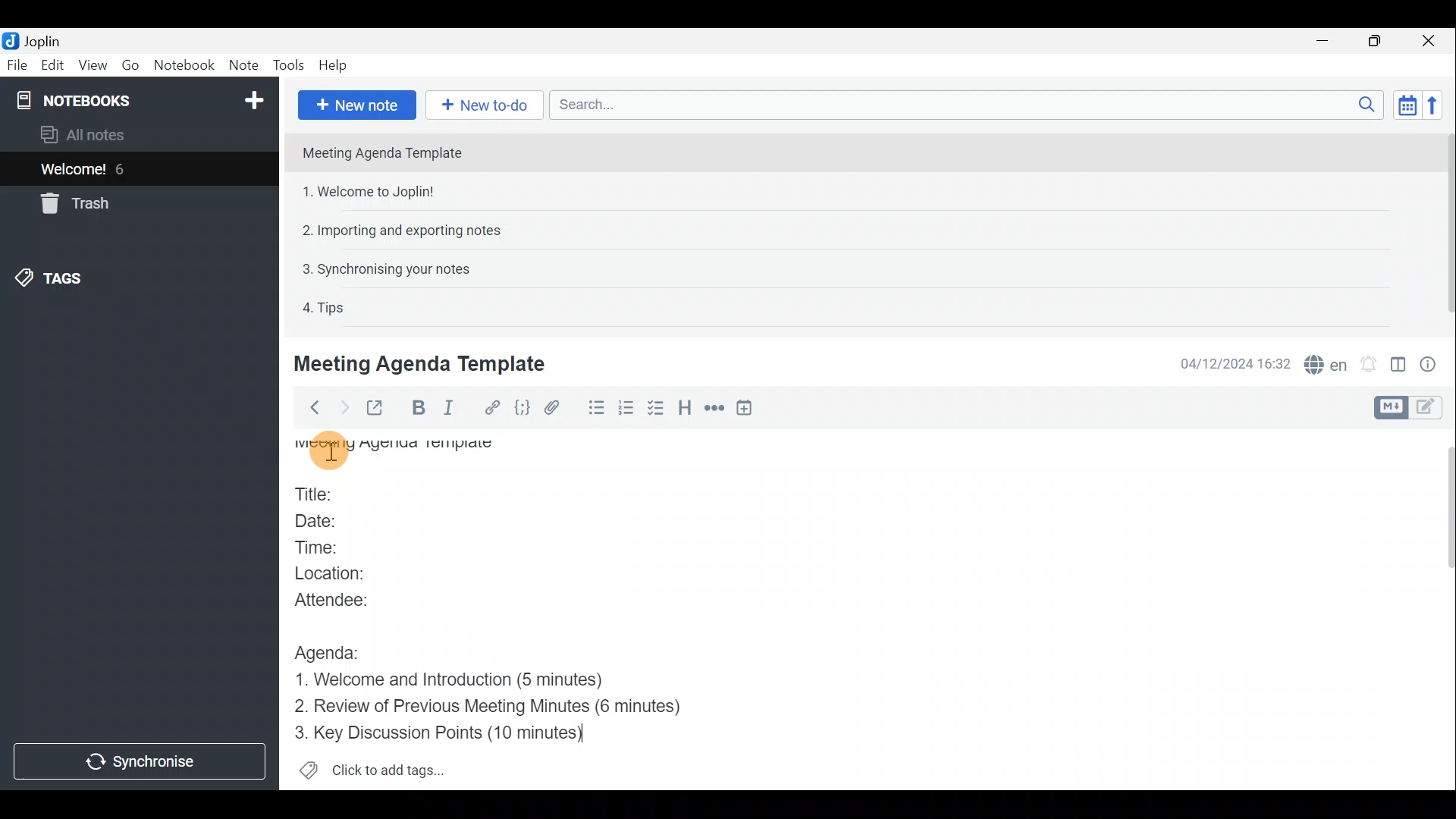  What do you see at coordinates (386, 268) in the screenshot?
I see `3. Synchronising your notes` at bounding box center [386, 268].